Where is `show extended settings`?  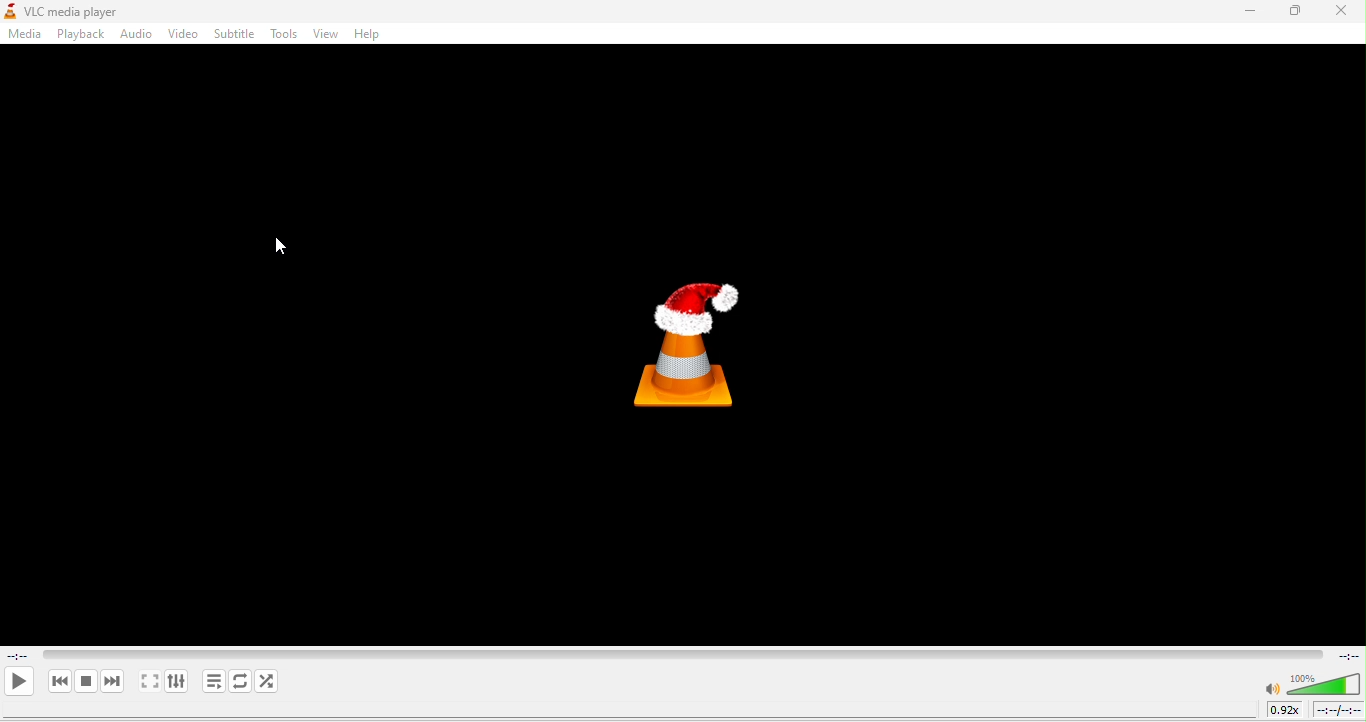 show extended settings is located at coordinates (176, 682).